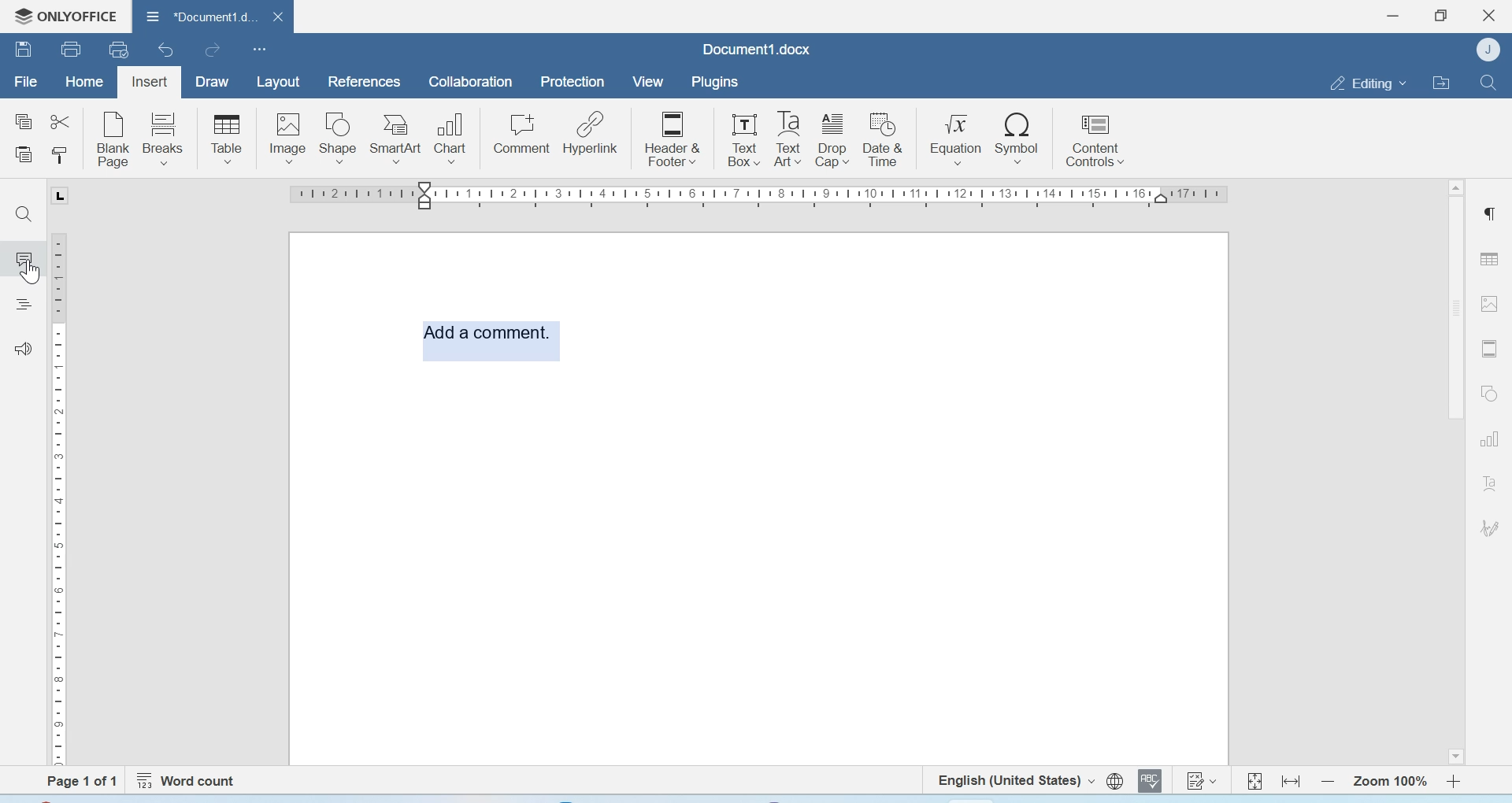  I want to click on Copy style, so click(59, 156).